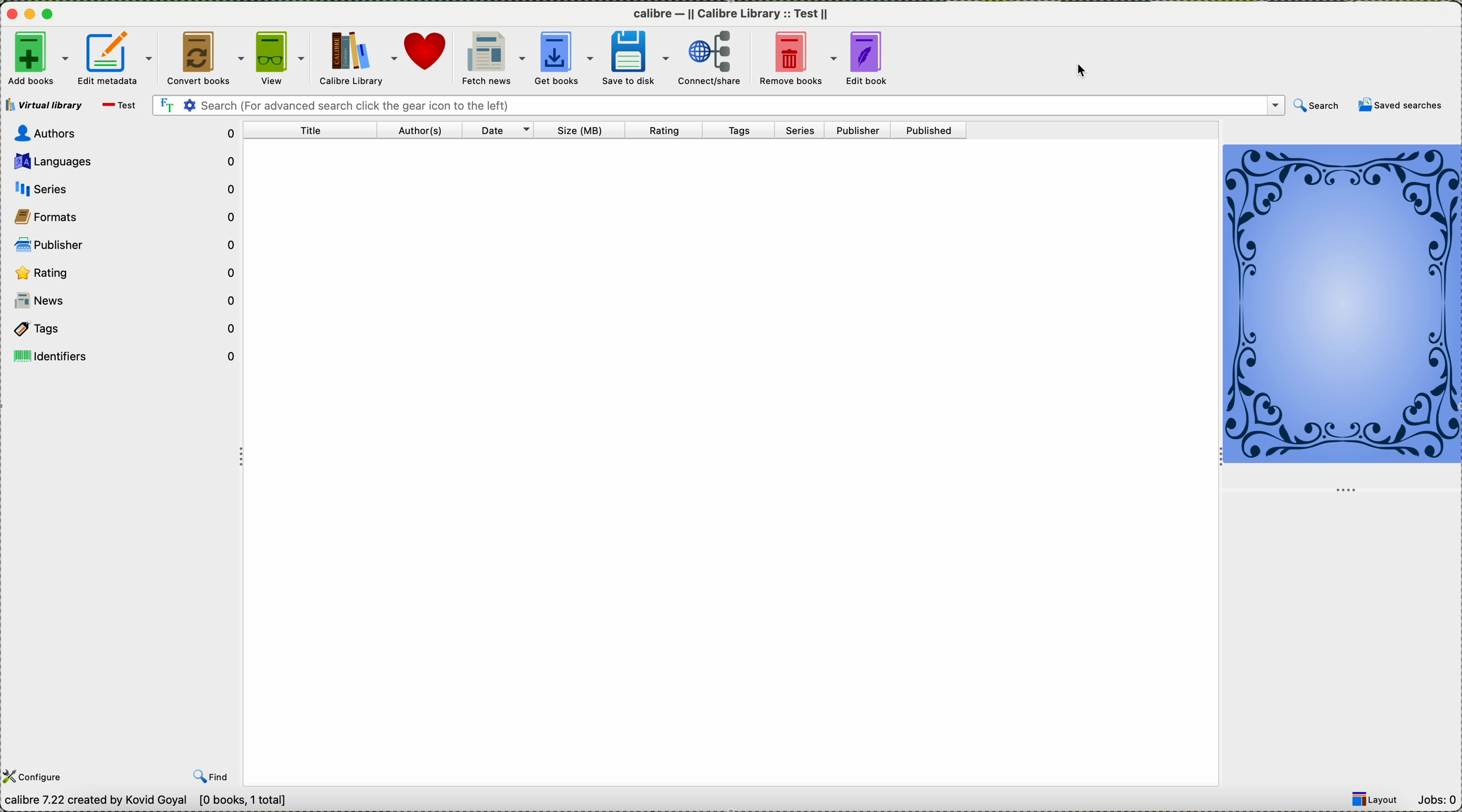 The image size is (1462, 812). Describe the element at coordinates (205, 58) in the screenshot. I see `convert books` at that location.